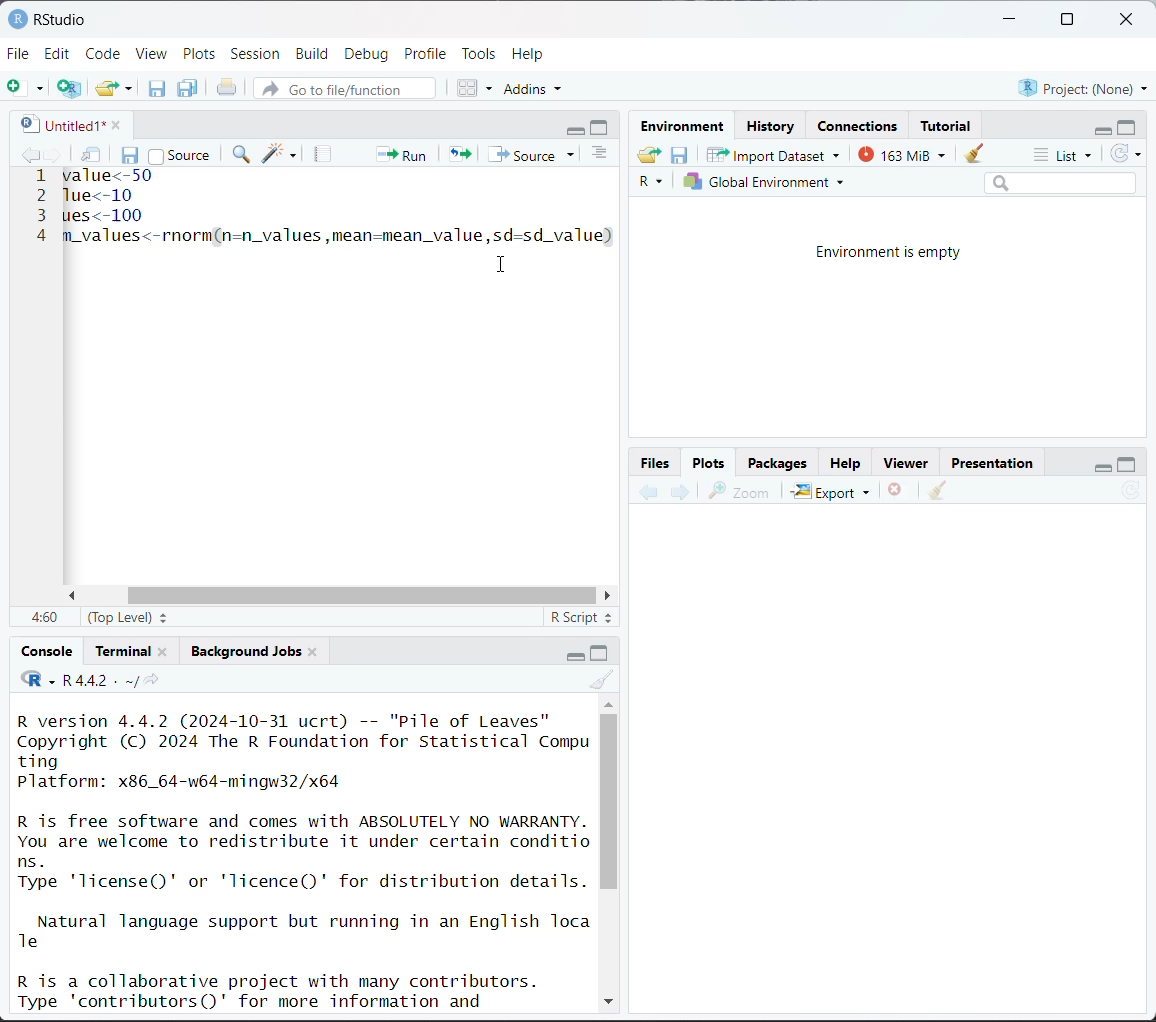  What do you see at coordinates (530, 53) in the screenshot?
I see `Help` at bounding box center [530, 53].